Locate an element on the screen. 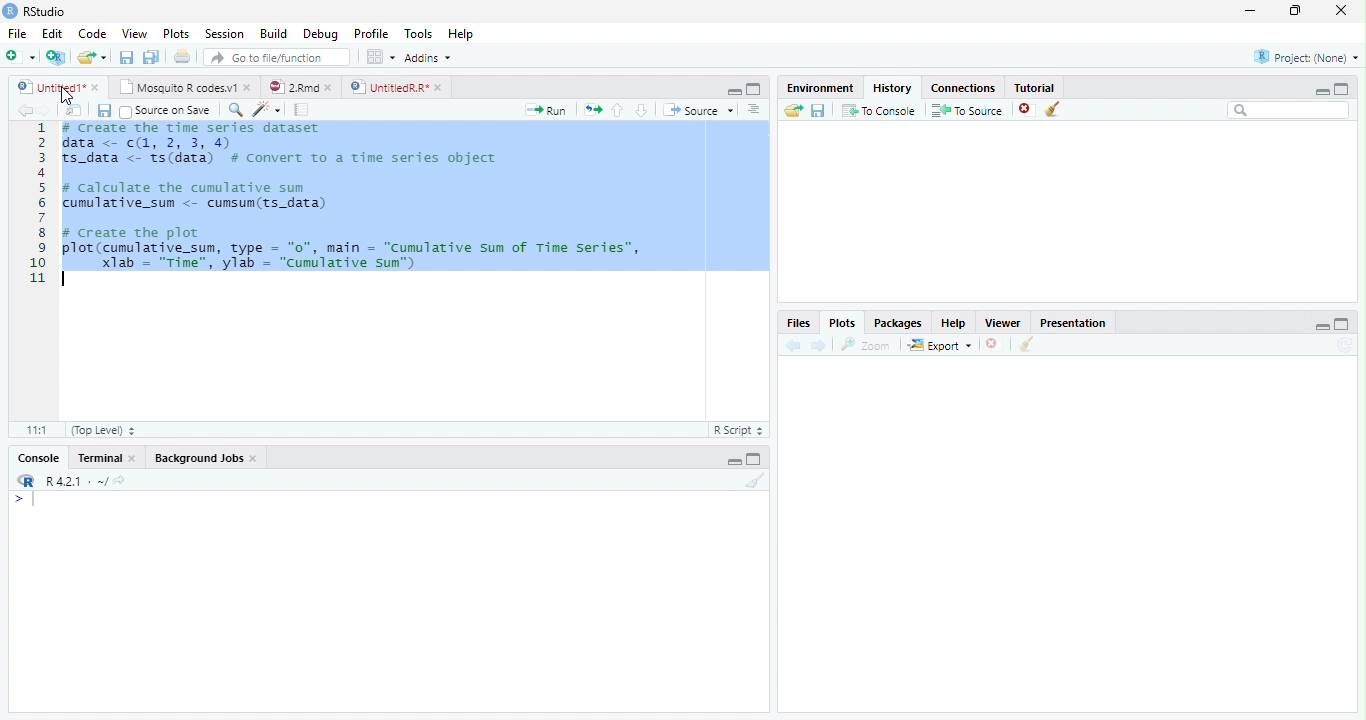  Minimize is located at coordinates (733, 462).